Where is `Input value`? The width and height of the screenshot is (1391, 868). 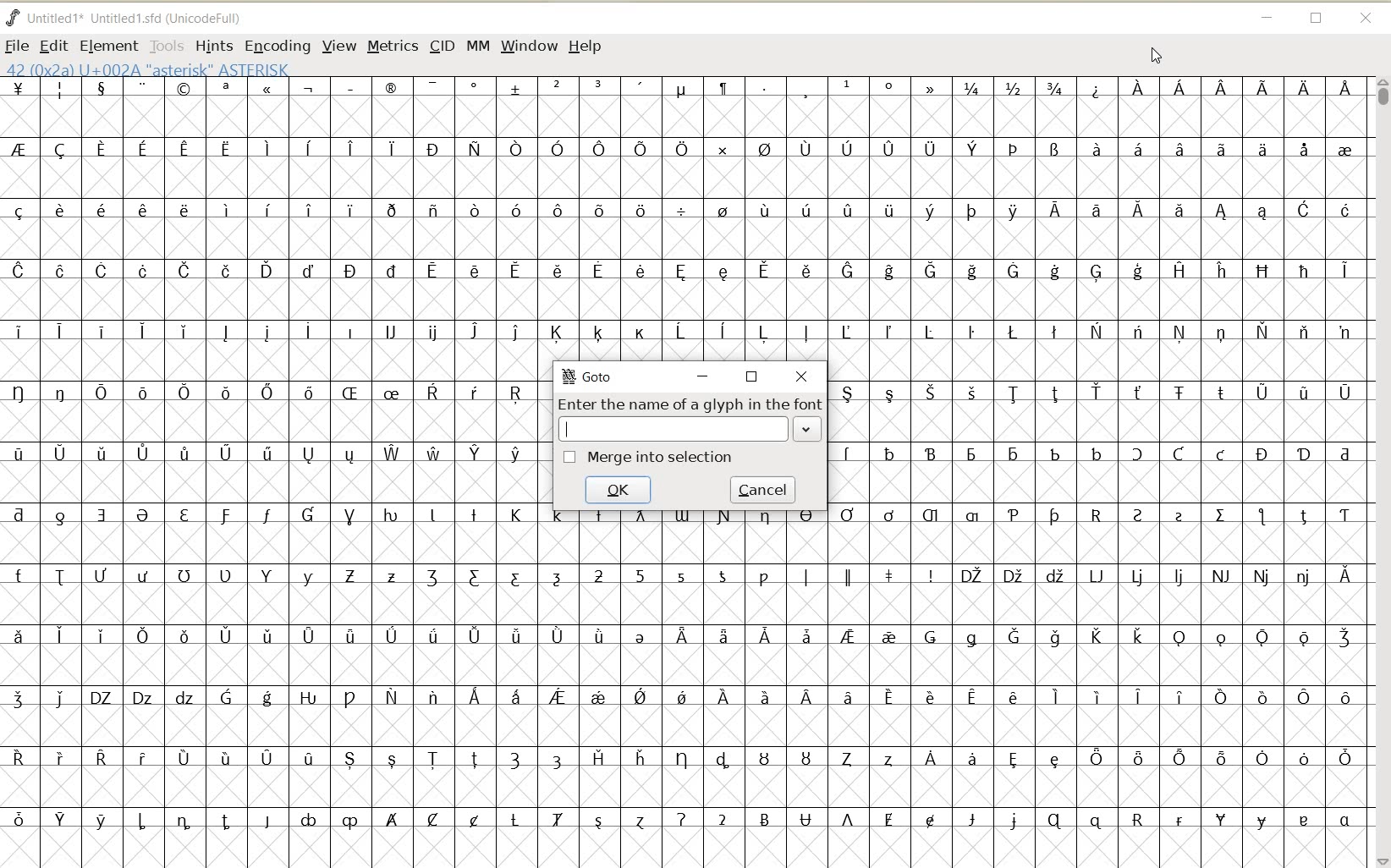
Input value is located at coordinates (672, 429).